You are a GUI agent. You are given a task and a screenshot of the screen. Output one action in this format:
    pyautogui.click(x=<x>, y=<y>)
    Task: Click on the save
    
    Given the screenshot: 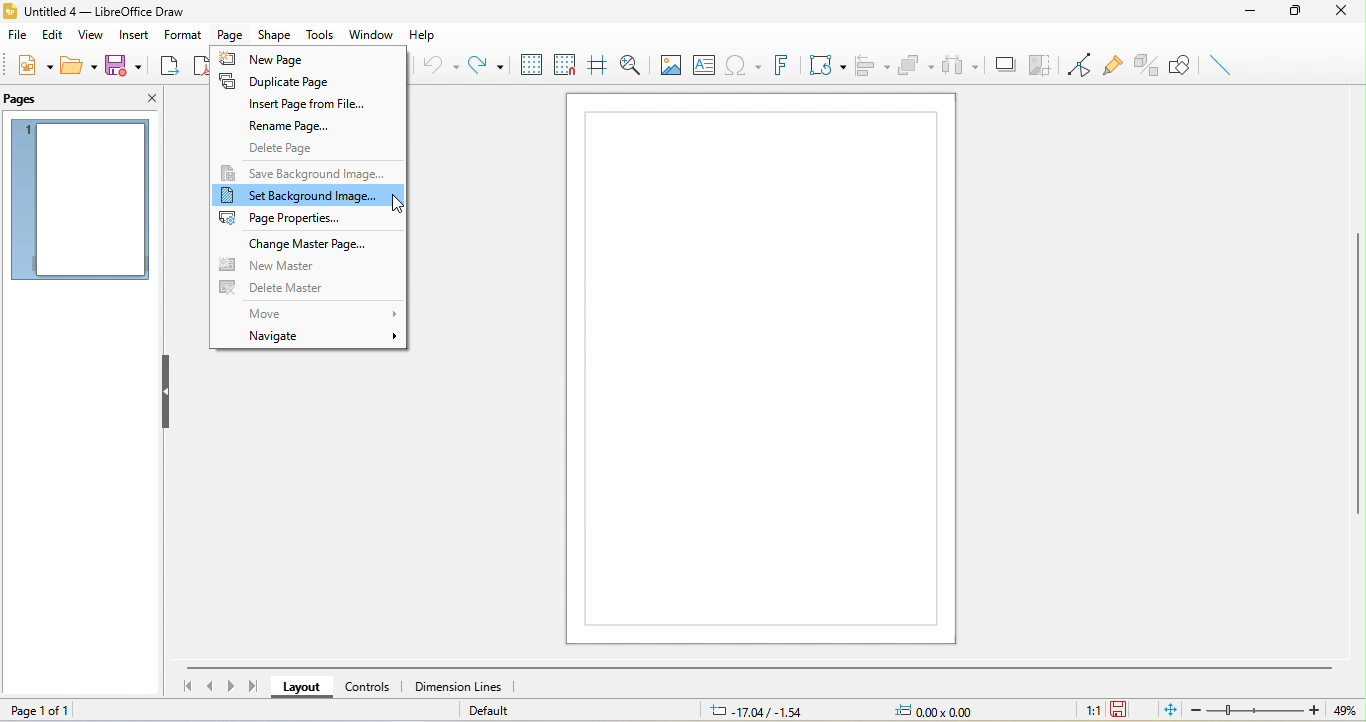 What is the action you would take?
    pyautogui.click(x=125, y=69)
    